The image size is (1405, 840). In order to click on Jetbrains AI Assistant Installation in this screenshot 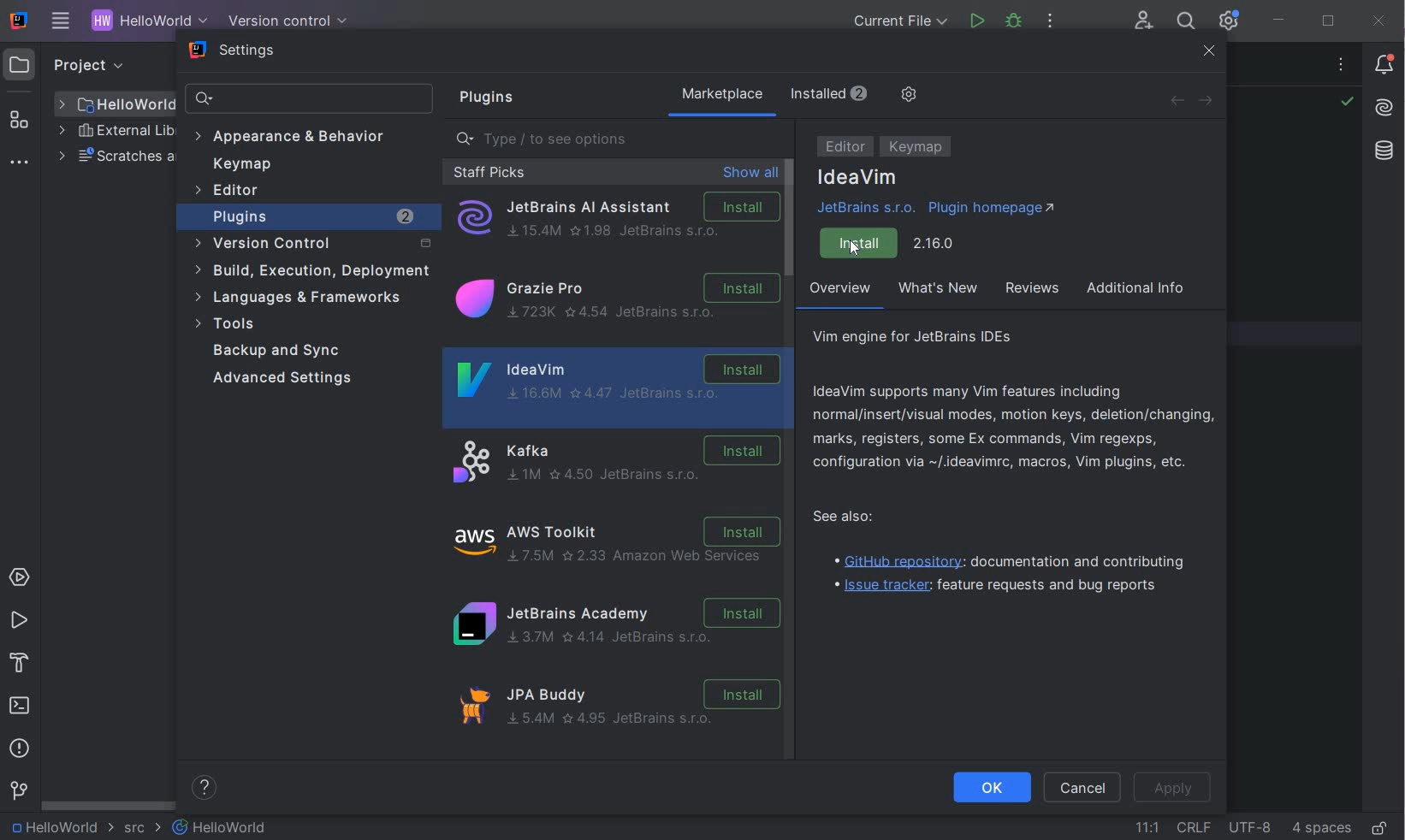, I will do `click(616, 218)`.